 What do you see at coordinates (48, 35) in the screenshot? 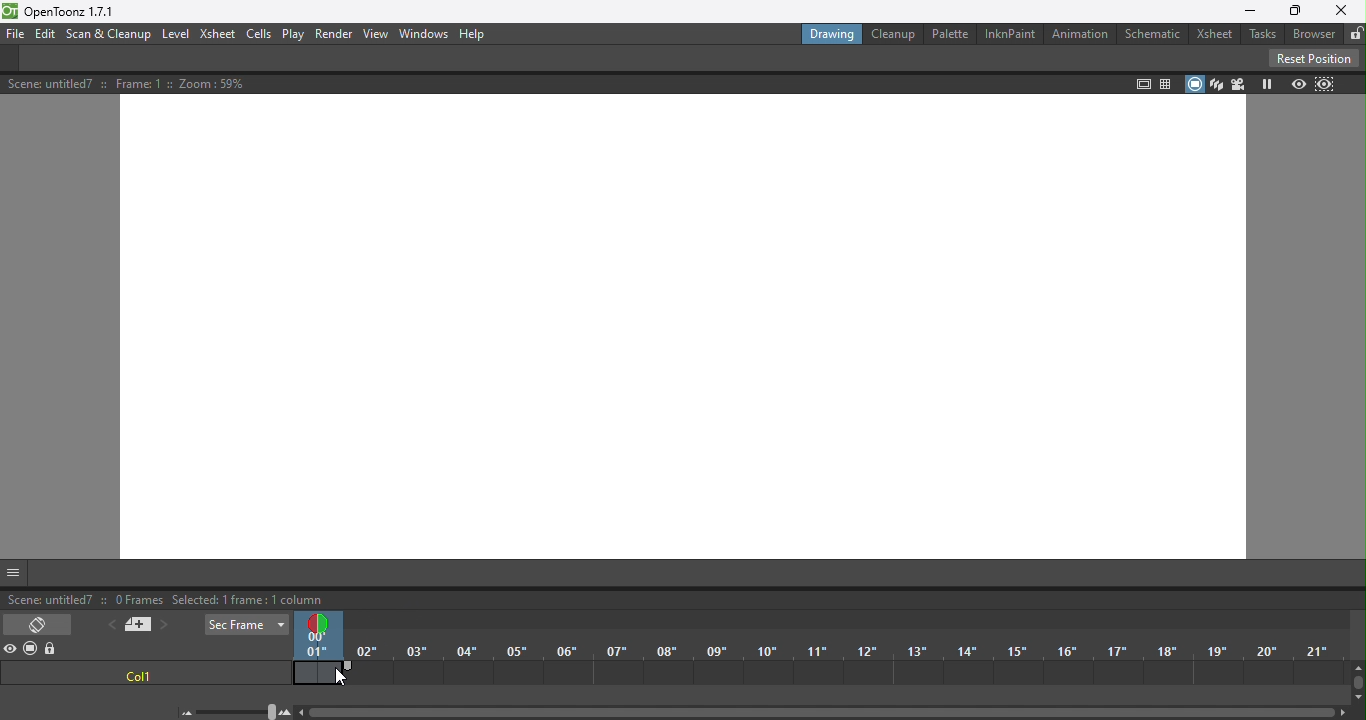
I see `Edit` at bounding box center [48, 35].